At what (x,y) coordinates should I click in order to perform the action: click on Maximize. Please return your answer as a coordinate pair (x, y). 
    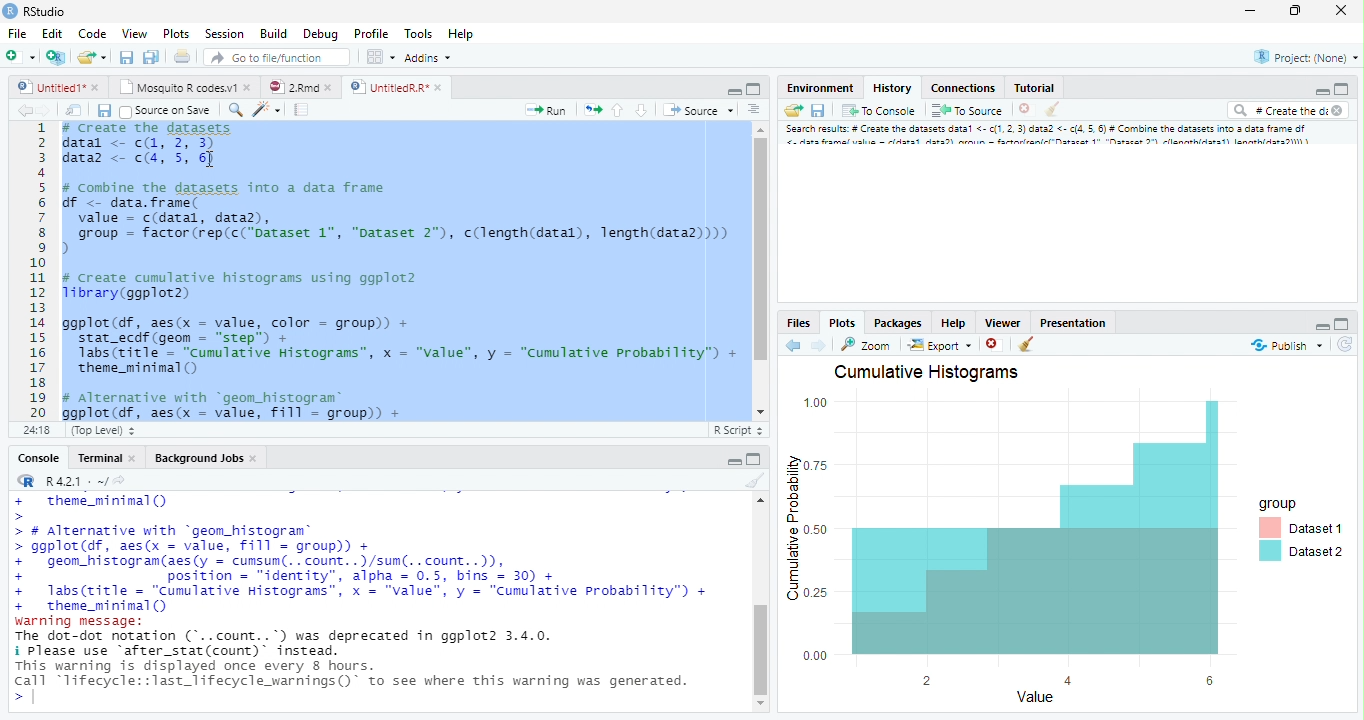
    Looking at the image, I should click on (1344, 323).